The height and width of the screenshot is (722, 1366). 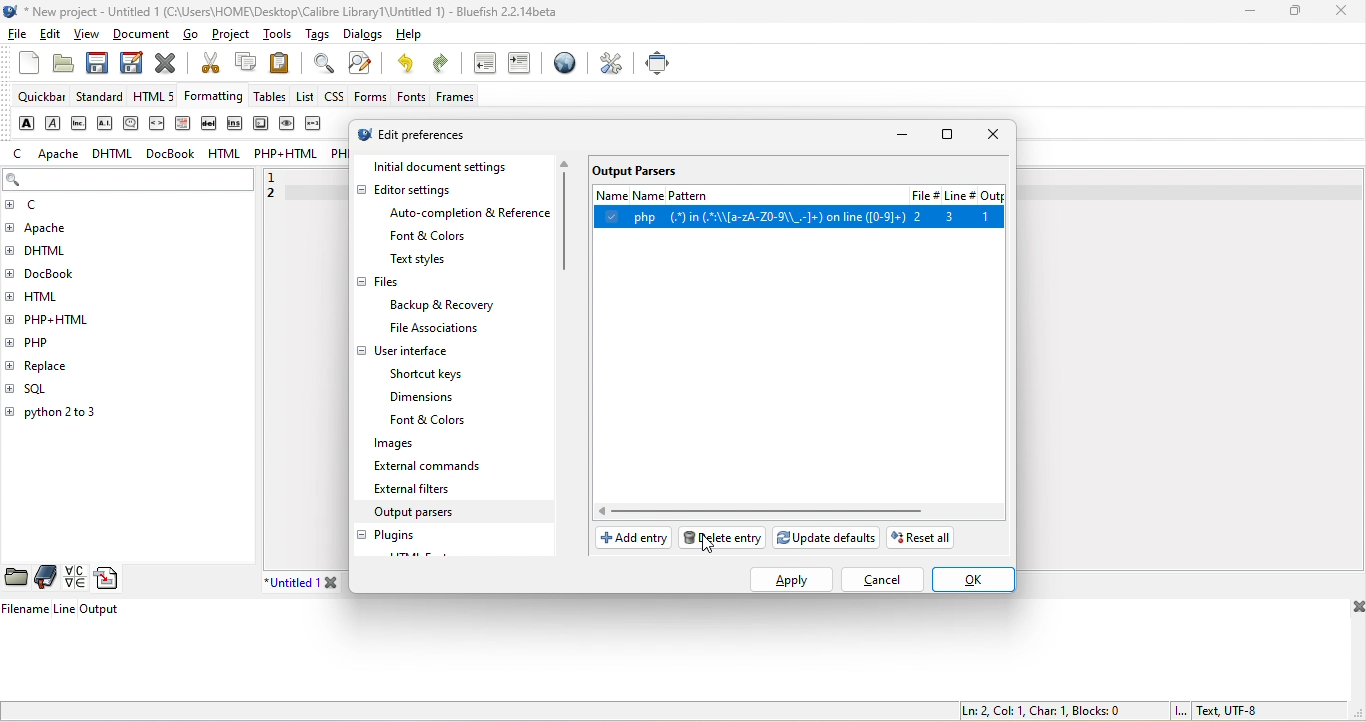 I want to click on browser, so click(x=562, y=67).